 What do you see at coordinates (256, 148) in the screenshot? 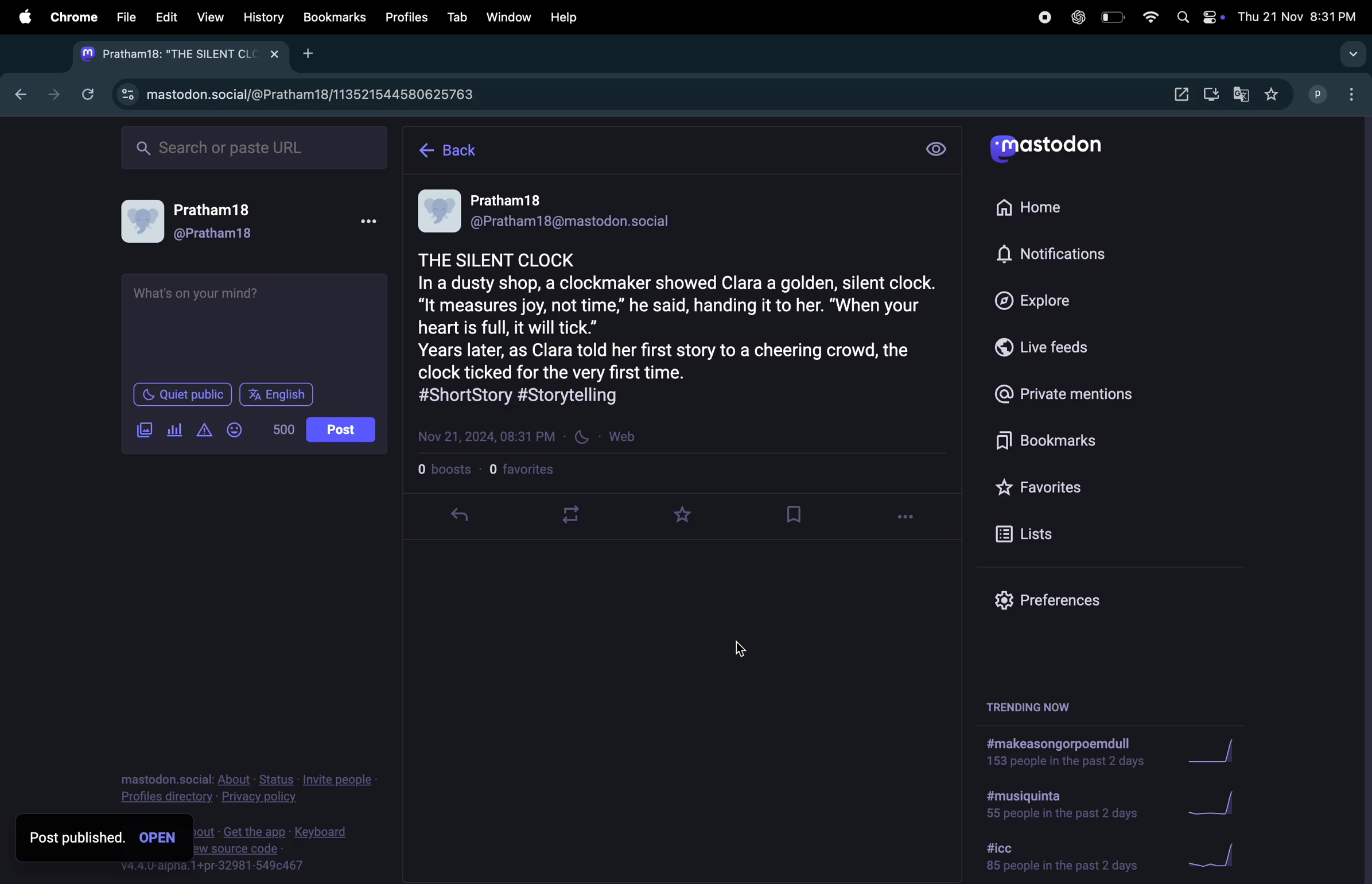
I see `searchbar` at bounding box center [256, 148].